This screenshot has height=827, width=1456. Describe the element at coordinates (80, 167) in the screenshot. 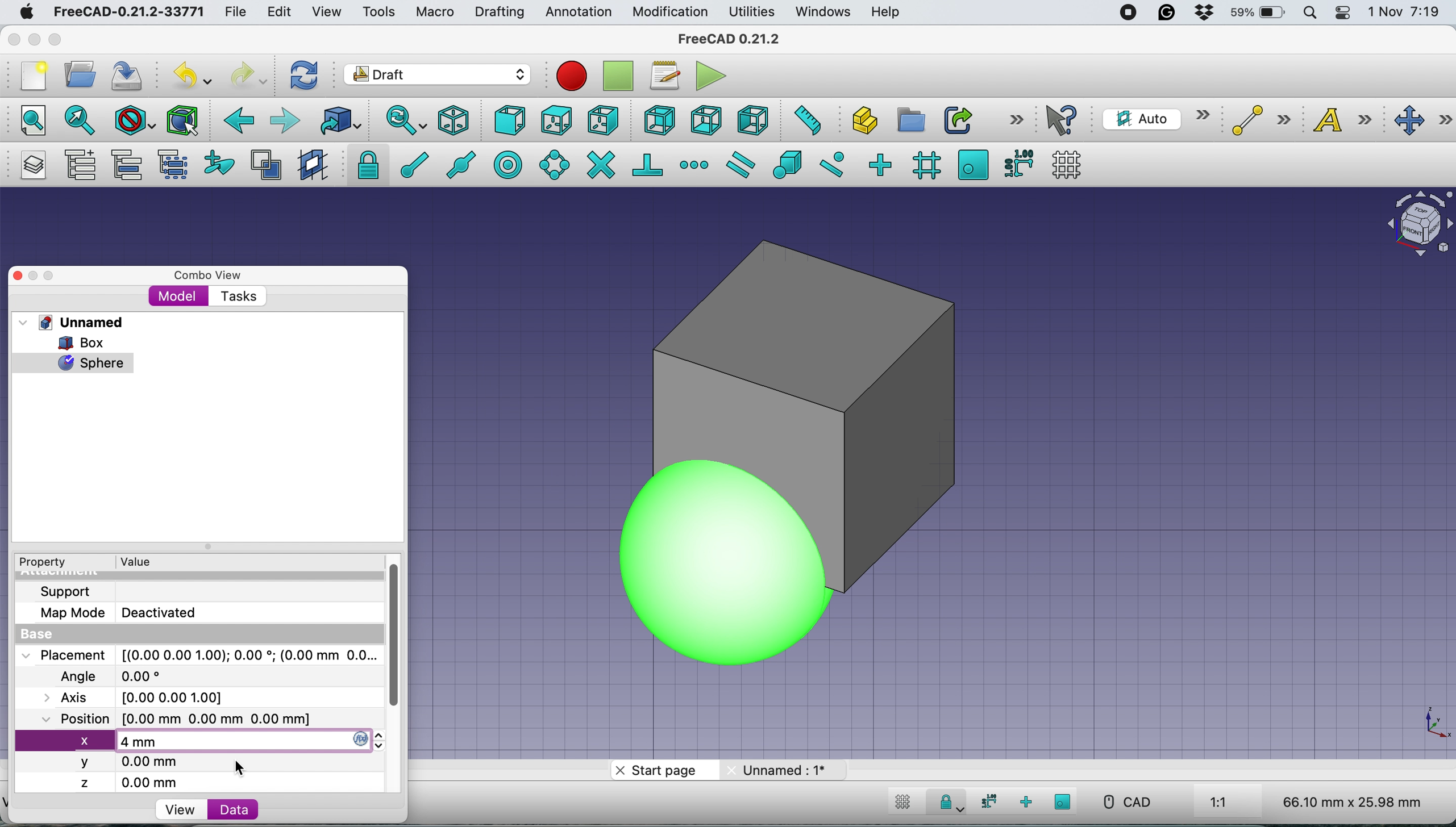

I see `add a new named group` at that location.